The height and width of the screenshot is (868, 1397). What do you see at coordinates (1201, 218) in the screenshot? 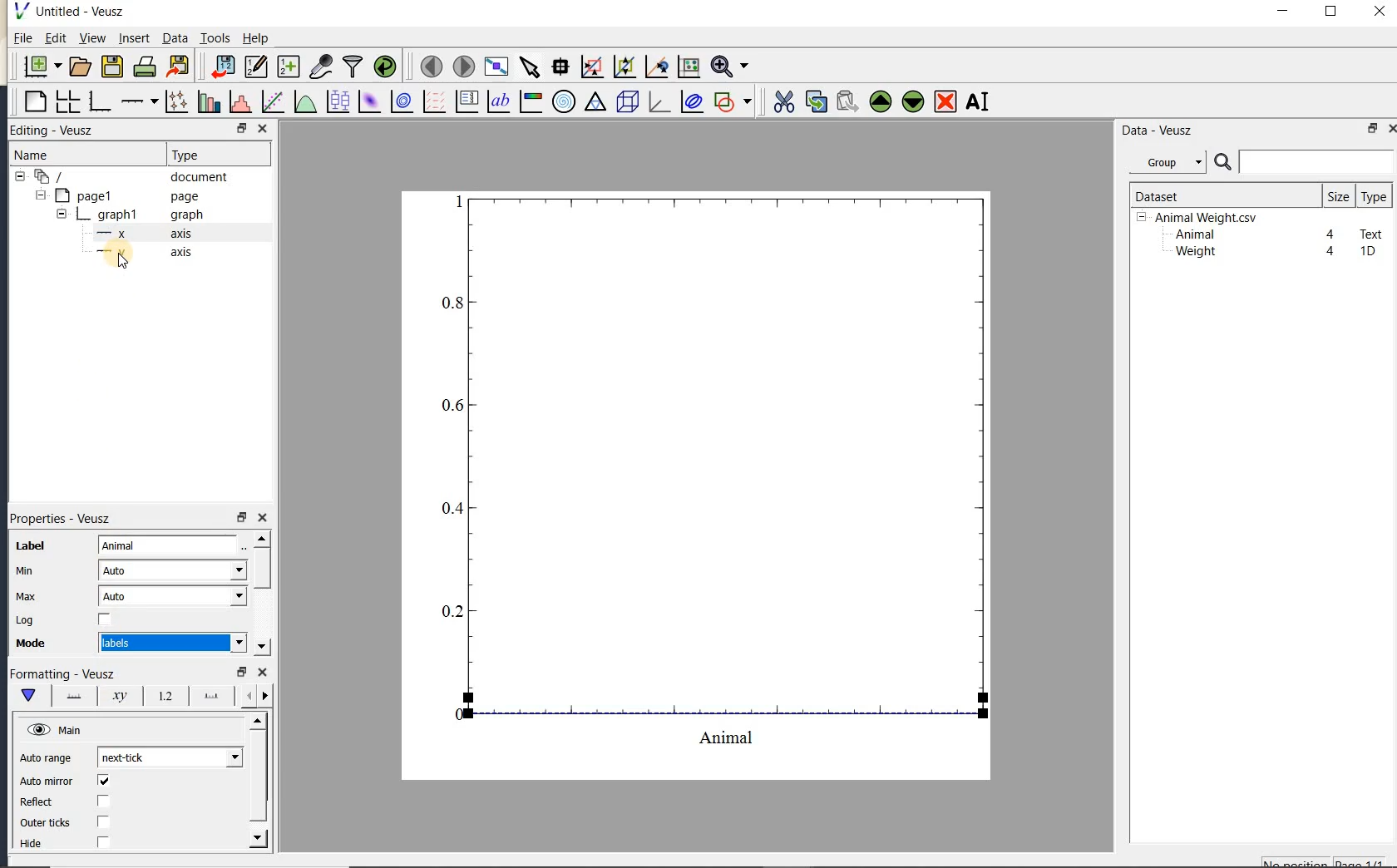
I see `Animalweight.csv` at bounding box center [1201, 218].